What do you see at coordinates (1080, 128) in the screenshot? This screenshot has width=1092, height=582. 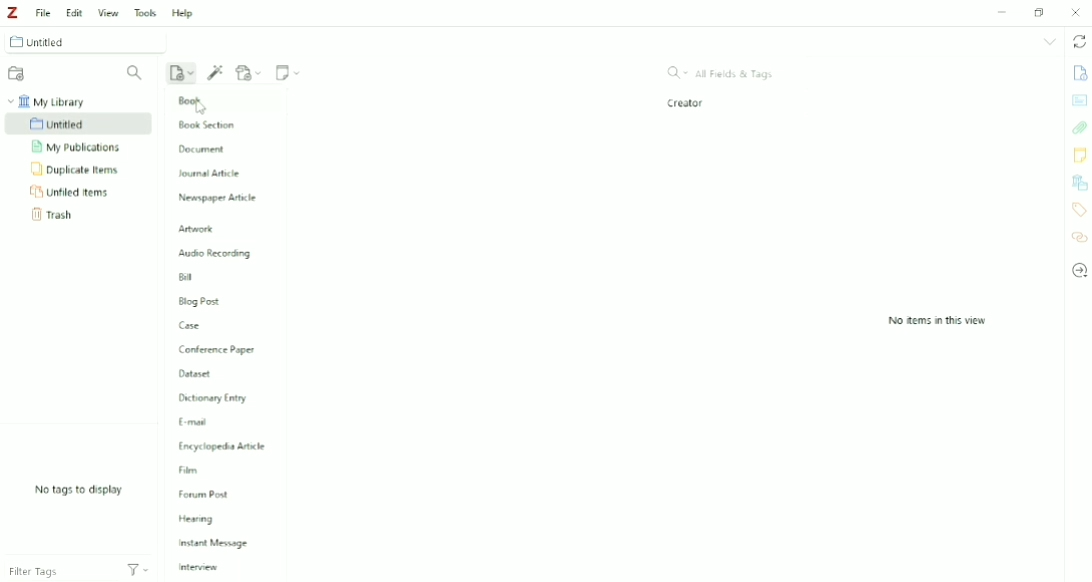 I see `Attachments` at bounding box center [1080, 128].